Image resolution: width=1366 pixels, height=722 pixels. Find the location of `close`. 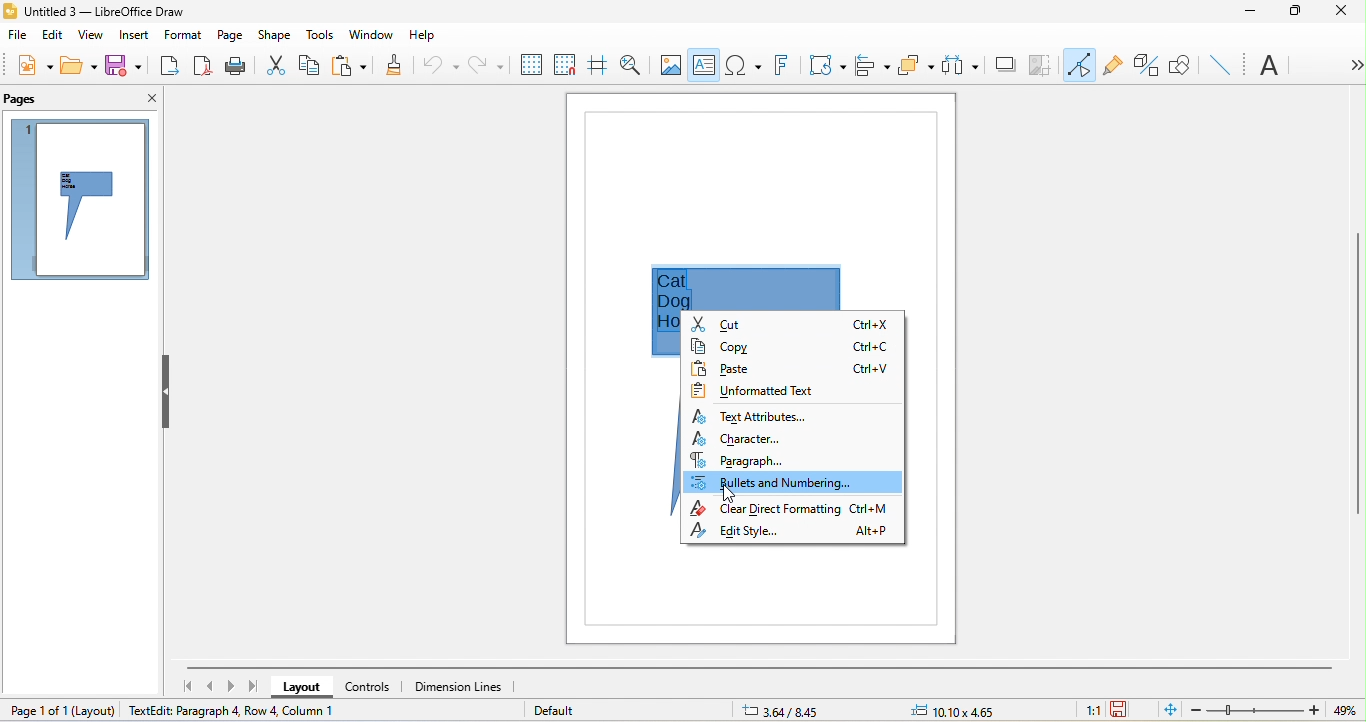

close is located at coordinates (1343, 15).